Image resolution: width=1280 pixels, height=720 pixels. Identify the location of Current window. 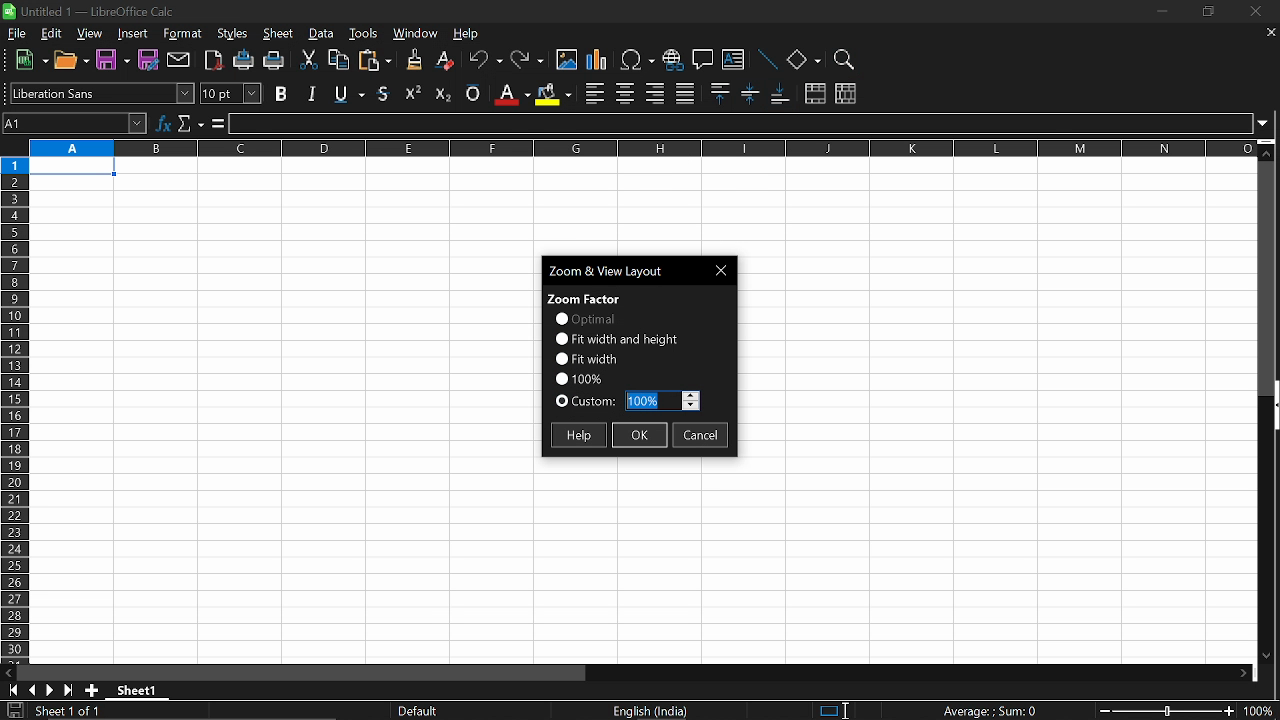
(97, 10).